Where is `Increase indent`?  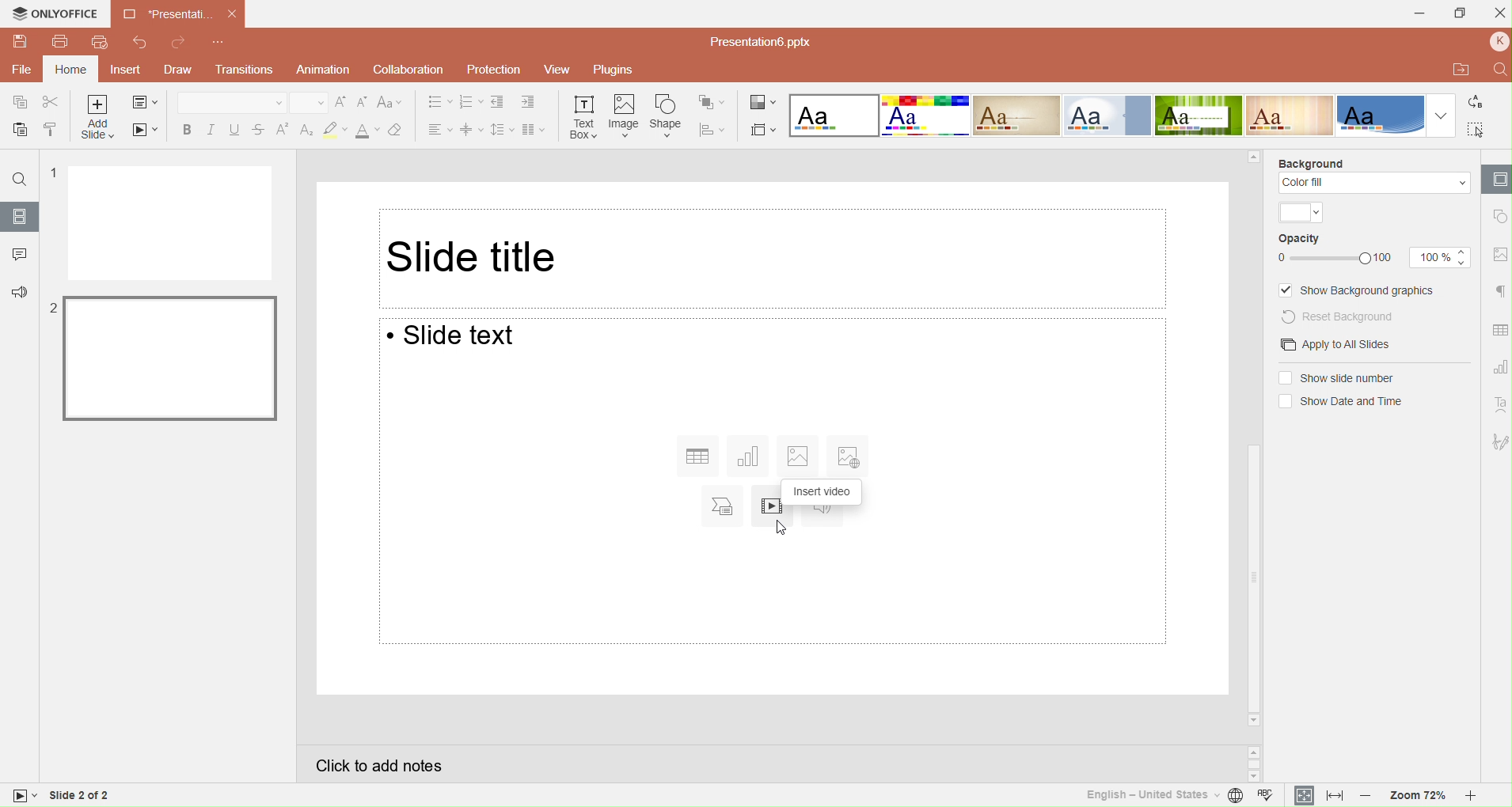
Increase indent is located at coordinates (533, 102).